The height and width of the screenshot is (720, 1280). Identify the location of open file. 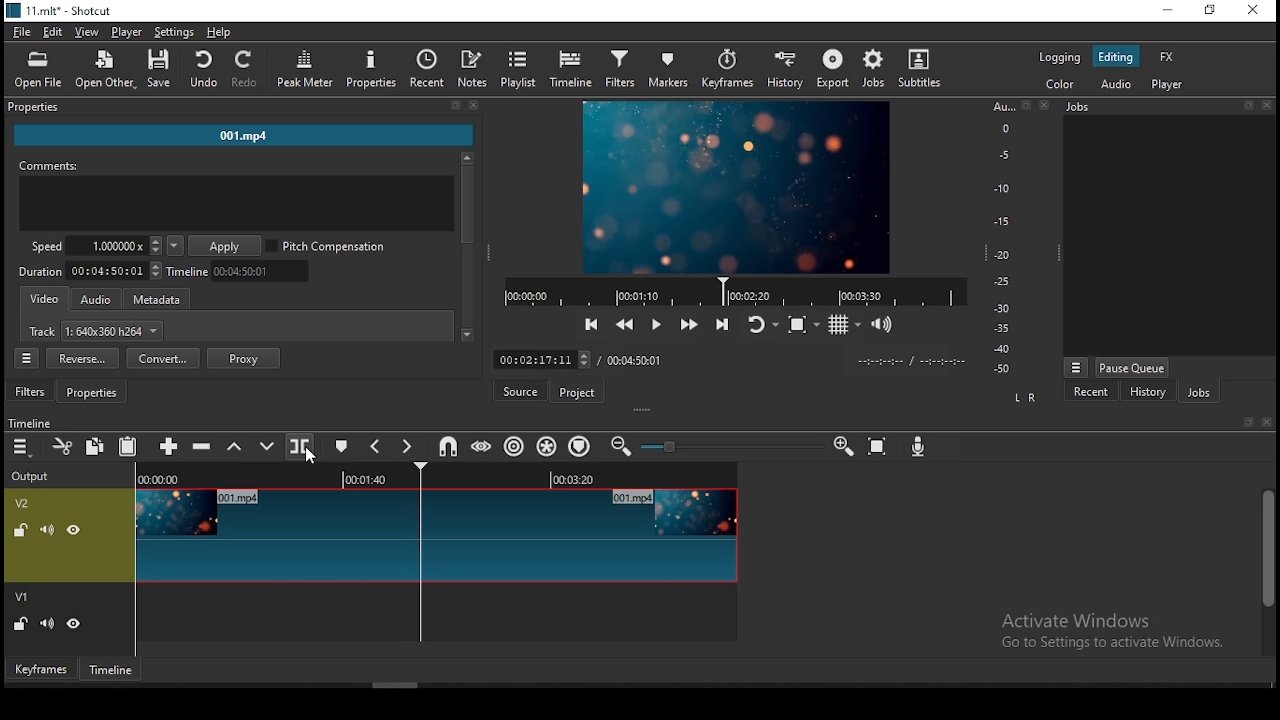
(38, 67).